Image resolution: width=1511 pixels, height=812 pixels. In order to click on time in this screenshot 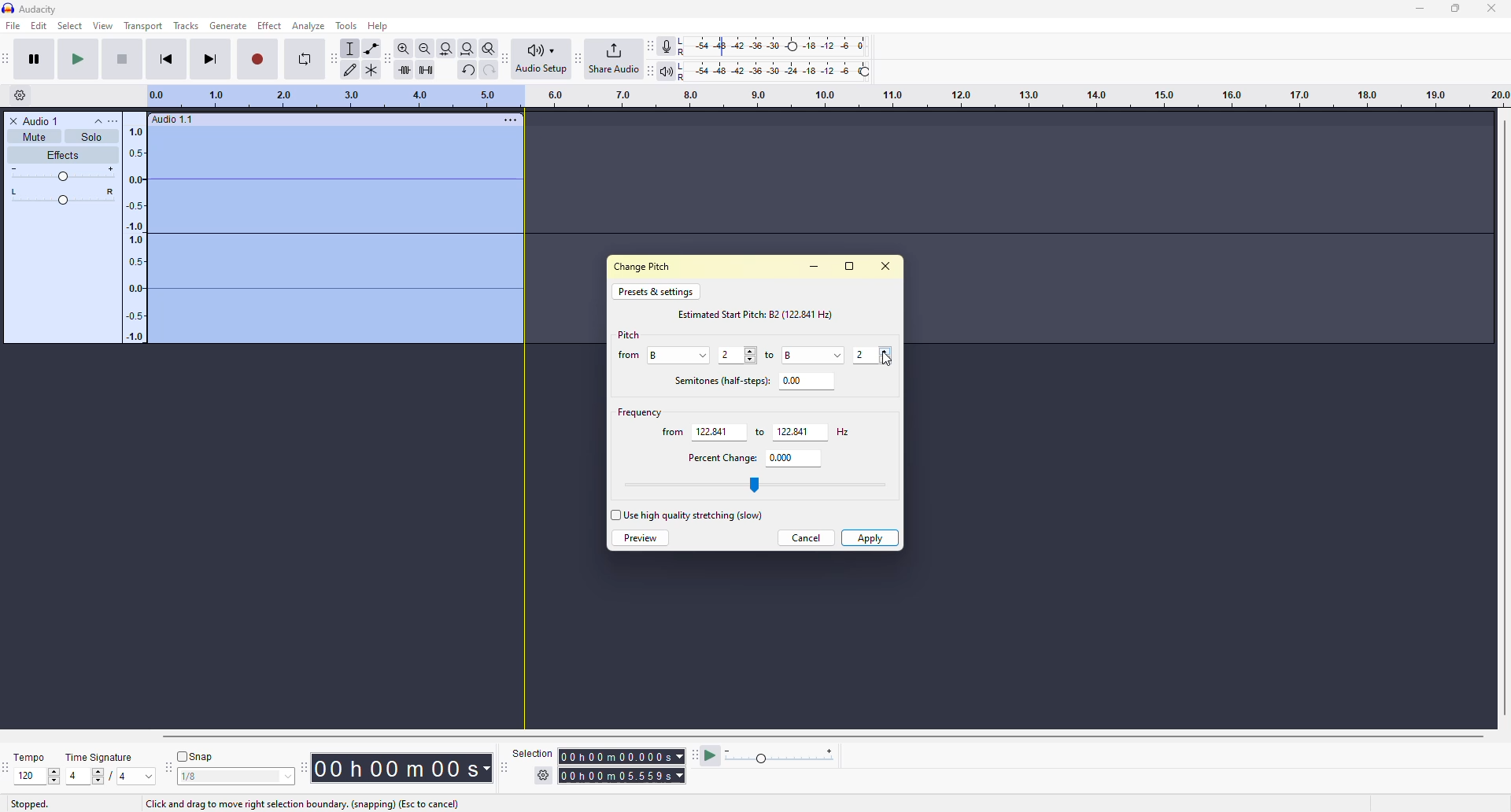, I will do `click(625, 774)`.